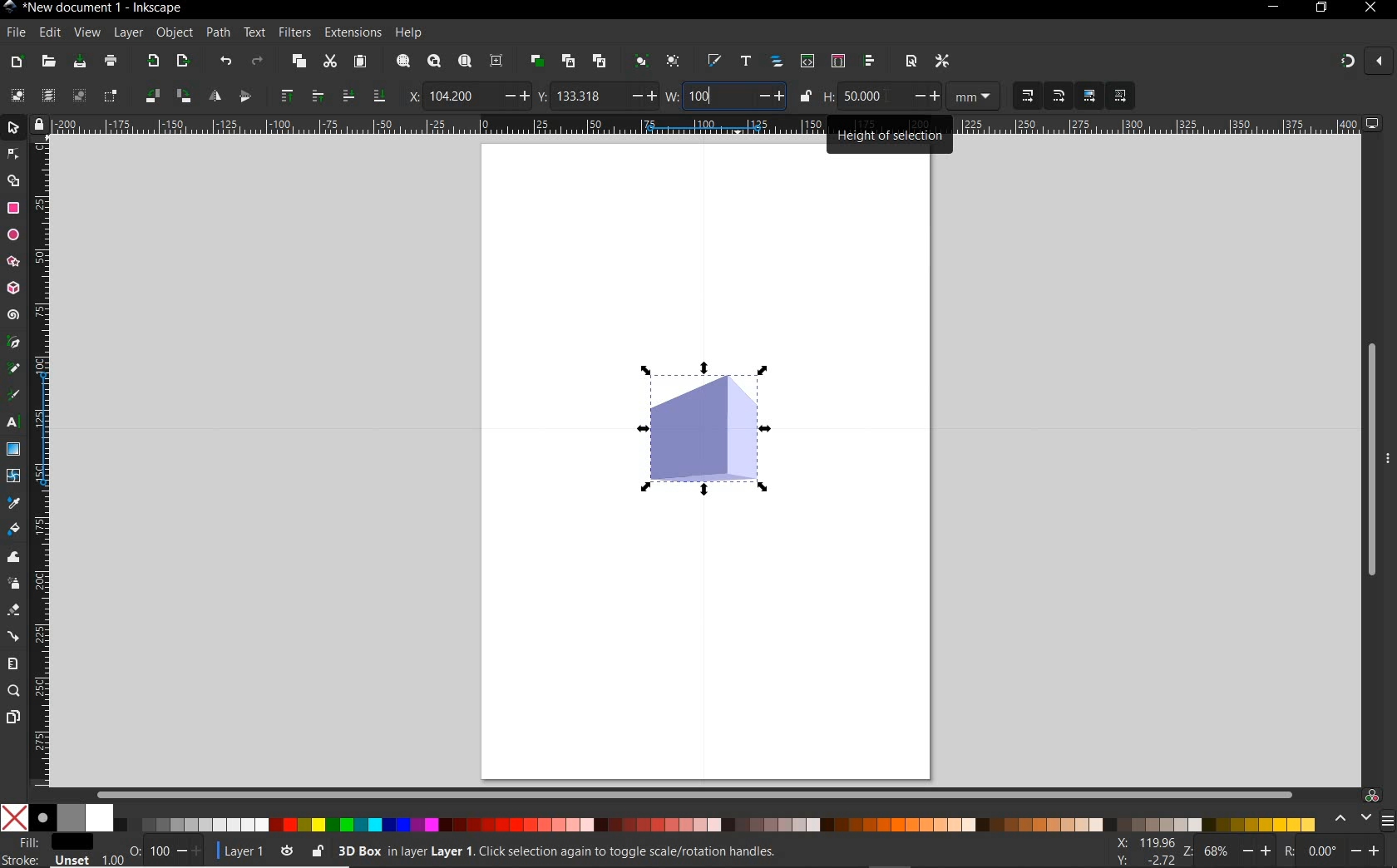  I want to click on redo, so click(258, 60).